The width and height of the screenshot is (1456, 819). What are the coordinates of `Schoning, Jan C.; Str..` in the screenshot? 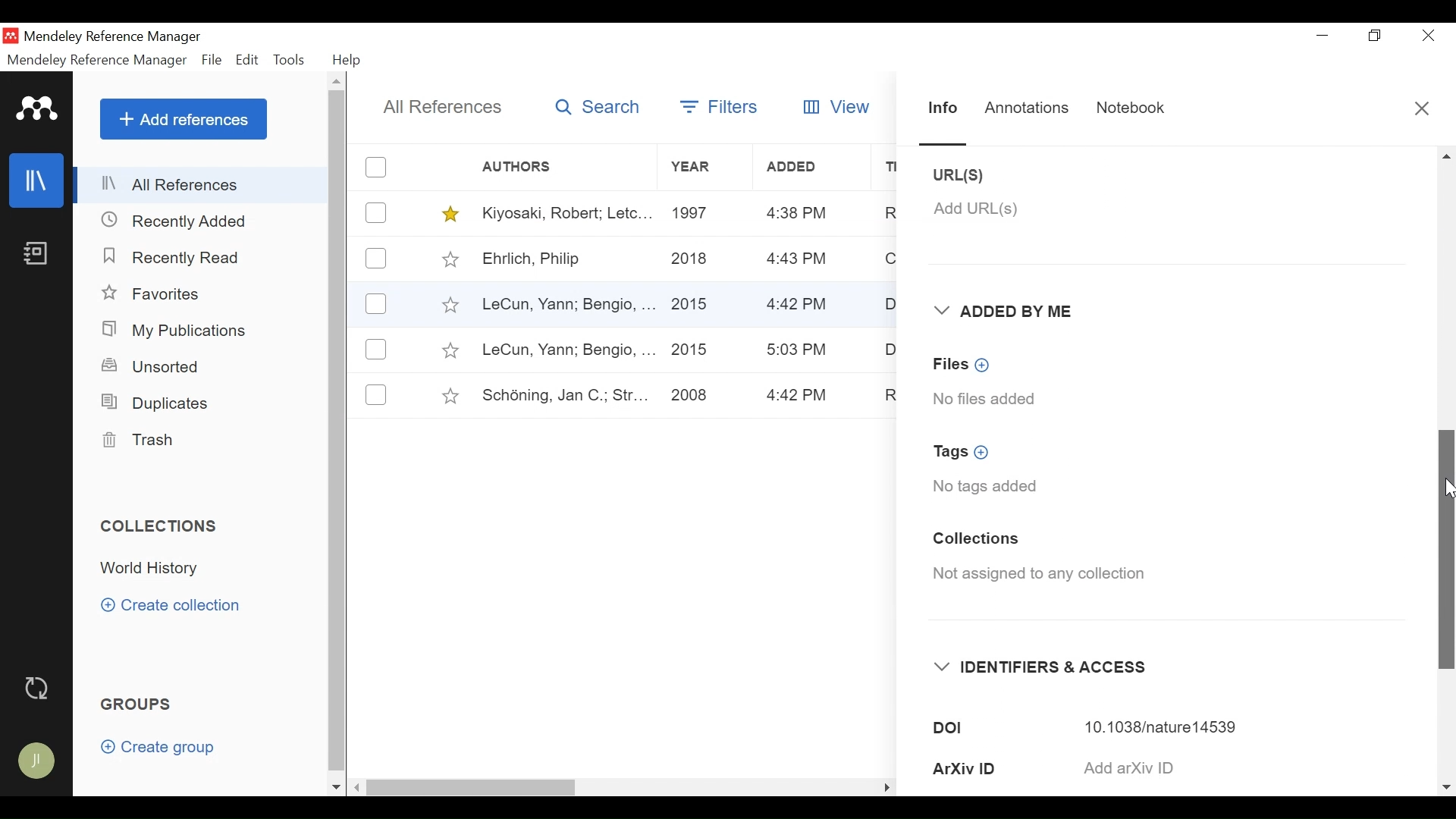 It's located at (560, 393).